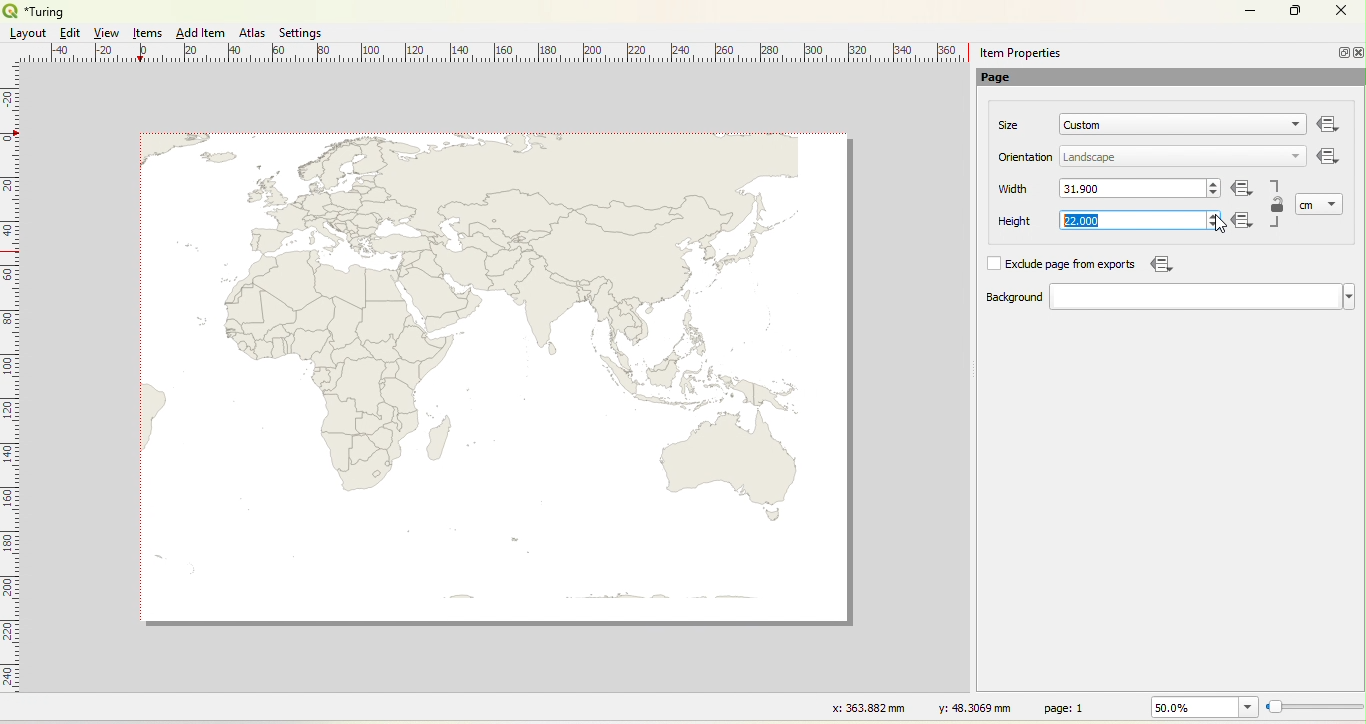  Describe the element at coordinates (1250, 9) in the screenshot. I see `Minimize` at that location.